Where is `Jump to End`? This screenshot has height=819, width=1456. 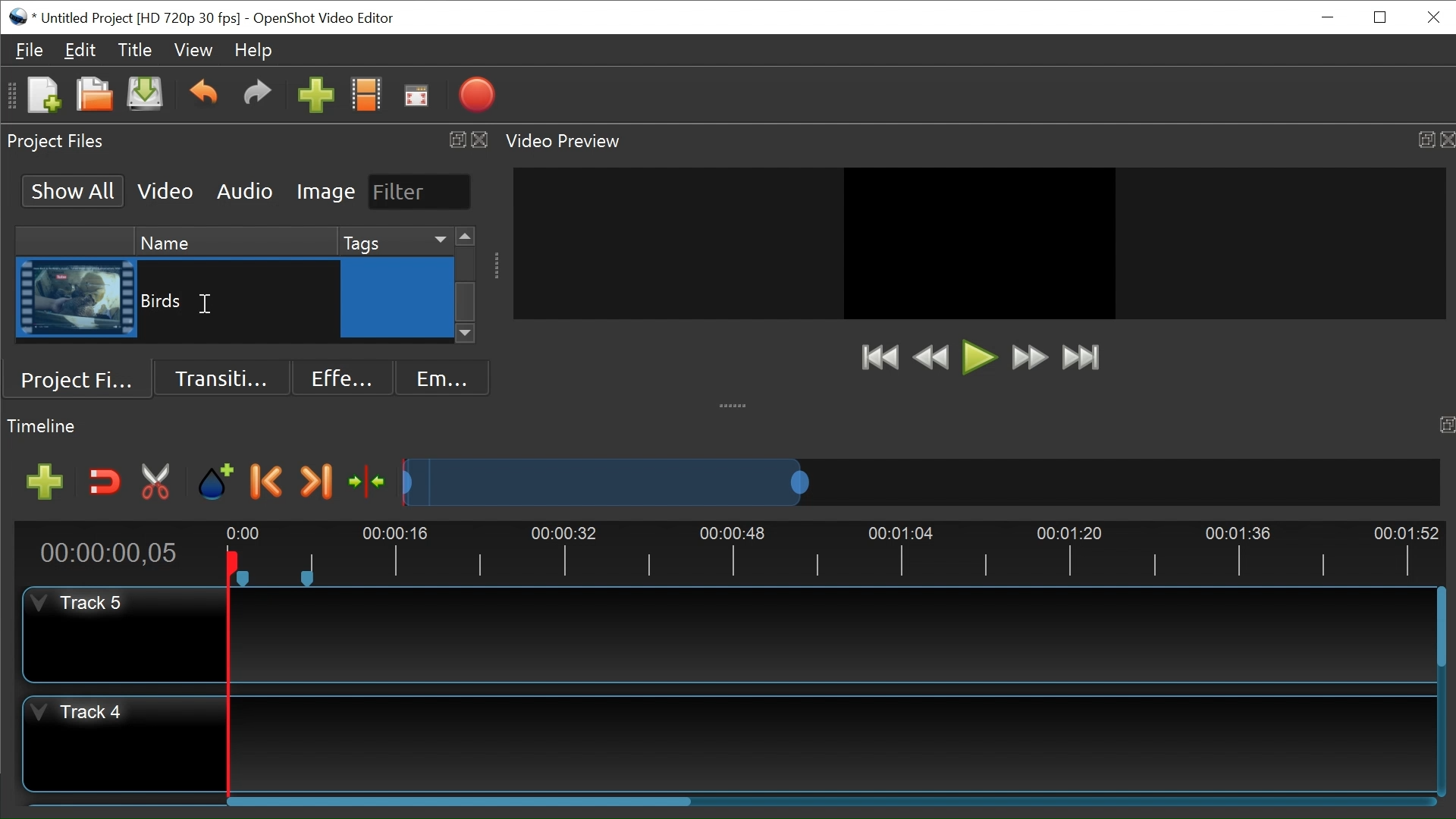
Jump to End is located at coordinates (1081, 359).